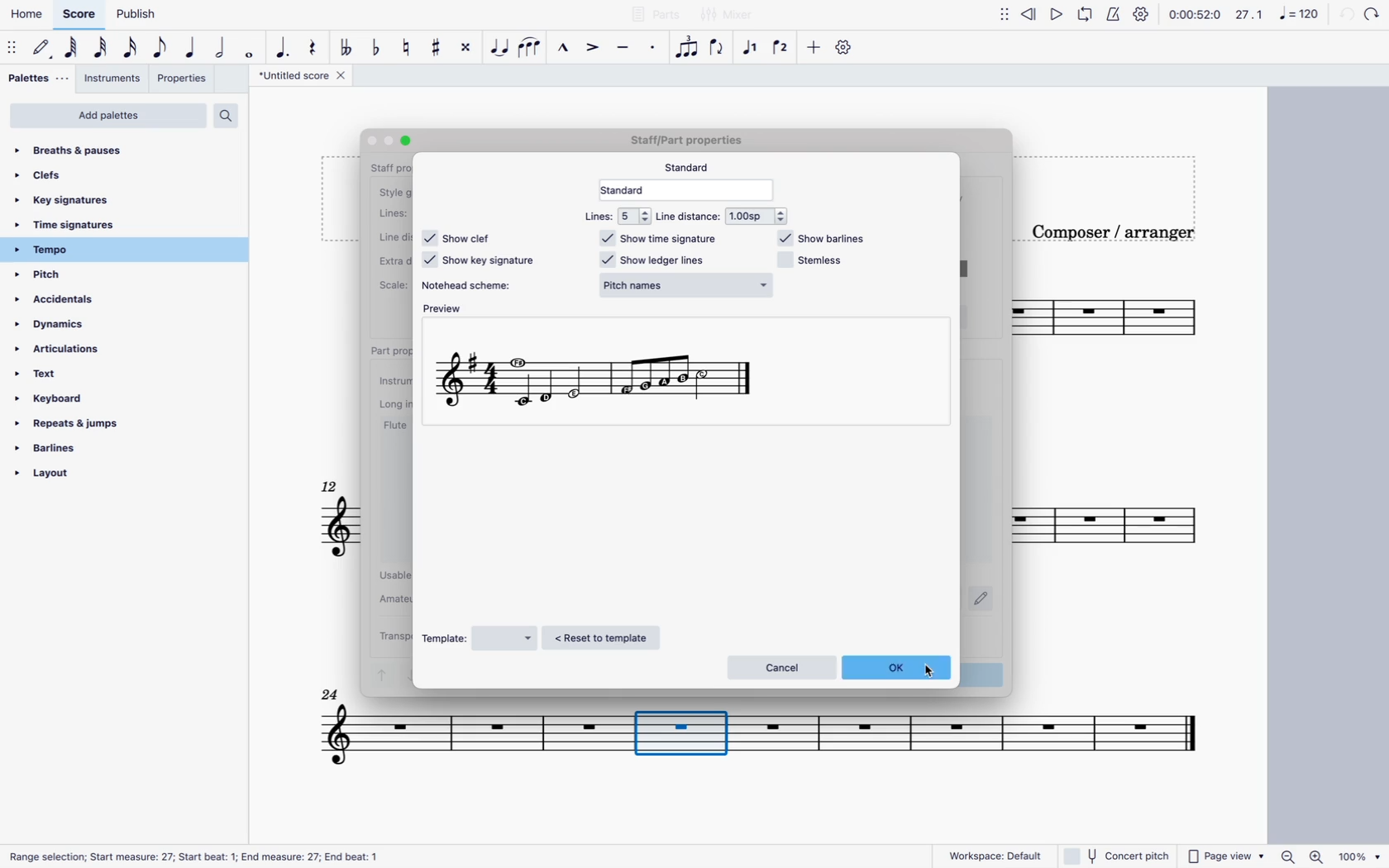 The width and height of the screenshot is (1389, 868). I want to click on instruments, so click(115, 81).